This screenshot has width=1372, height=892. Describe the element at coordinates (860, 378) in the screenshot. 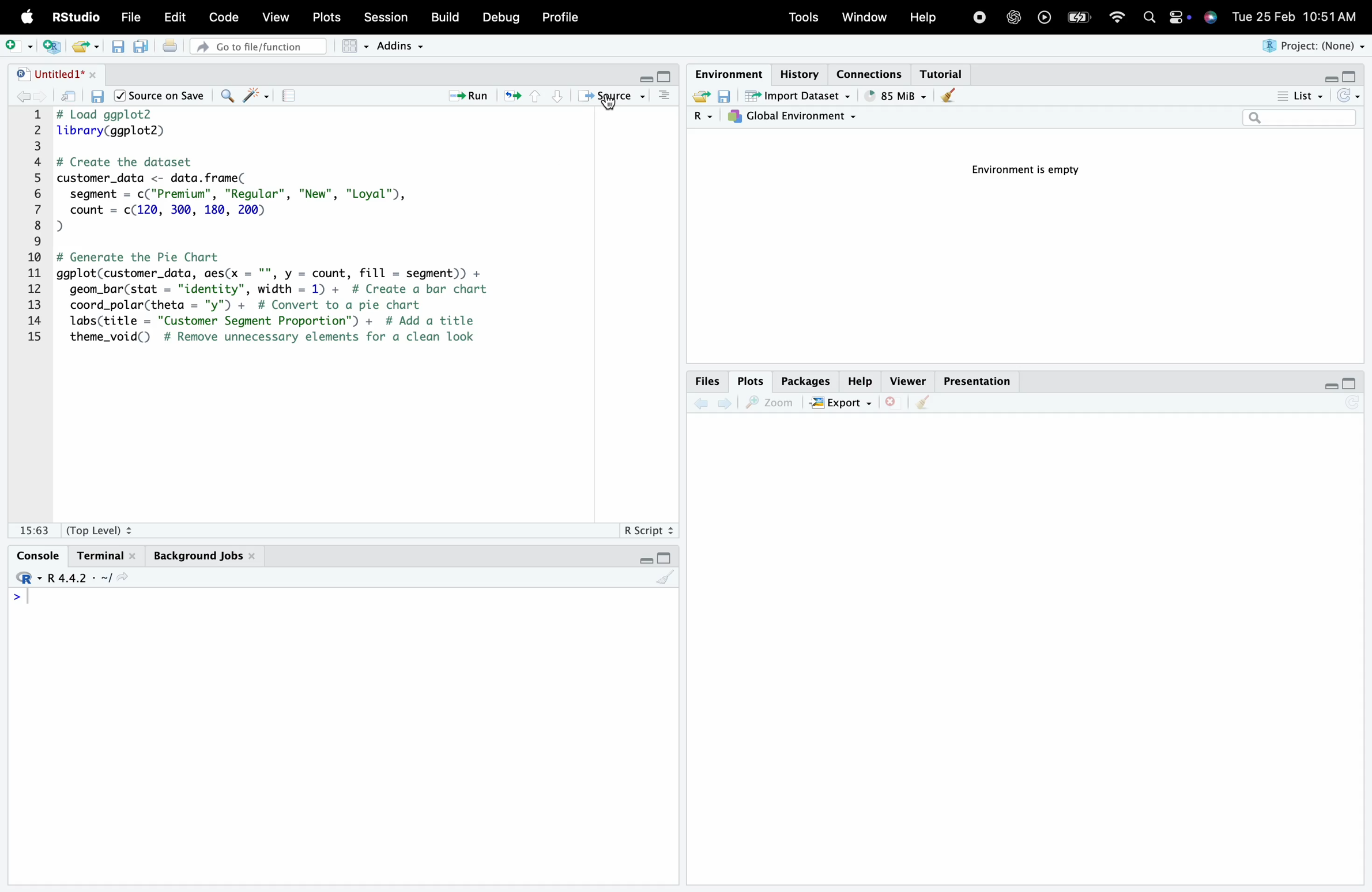

I see `Help` at that location.